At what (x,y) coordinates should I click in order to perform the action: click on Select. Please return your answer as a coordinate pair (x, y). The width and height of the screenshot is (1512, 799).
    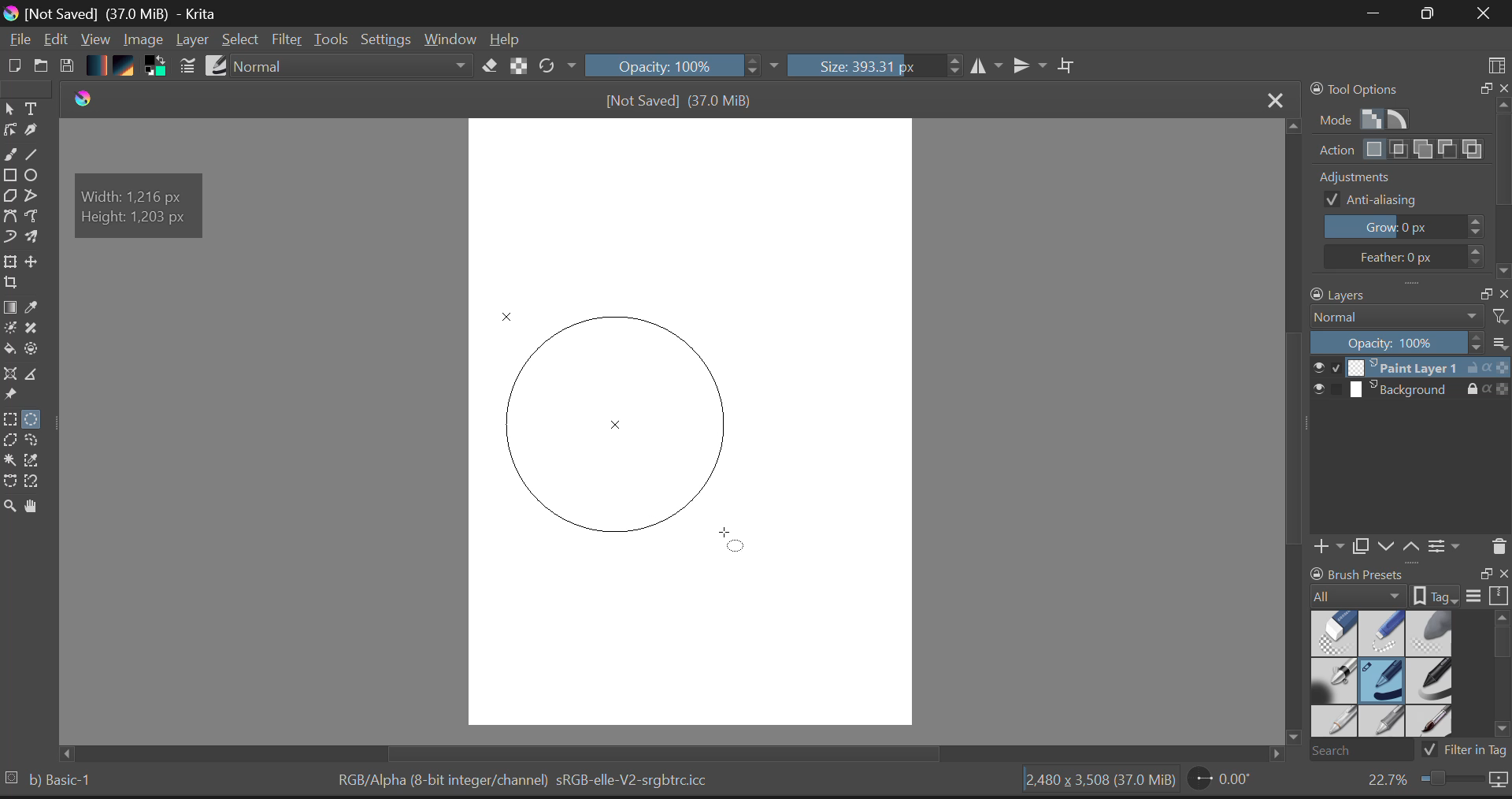
    Looking at the image, I should click on (243, 40).